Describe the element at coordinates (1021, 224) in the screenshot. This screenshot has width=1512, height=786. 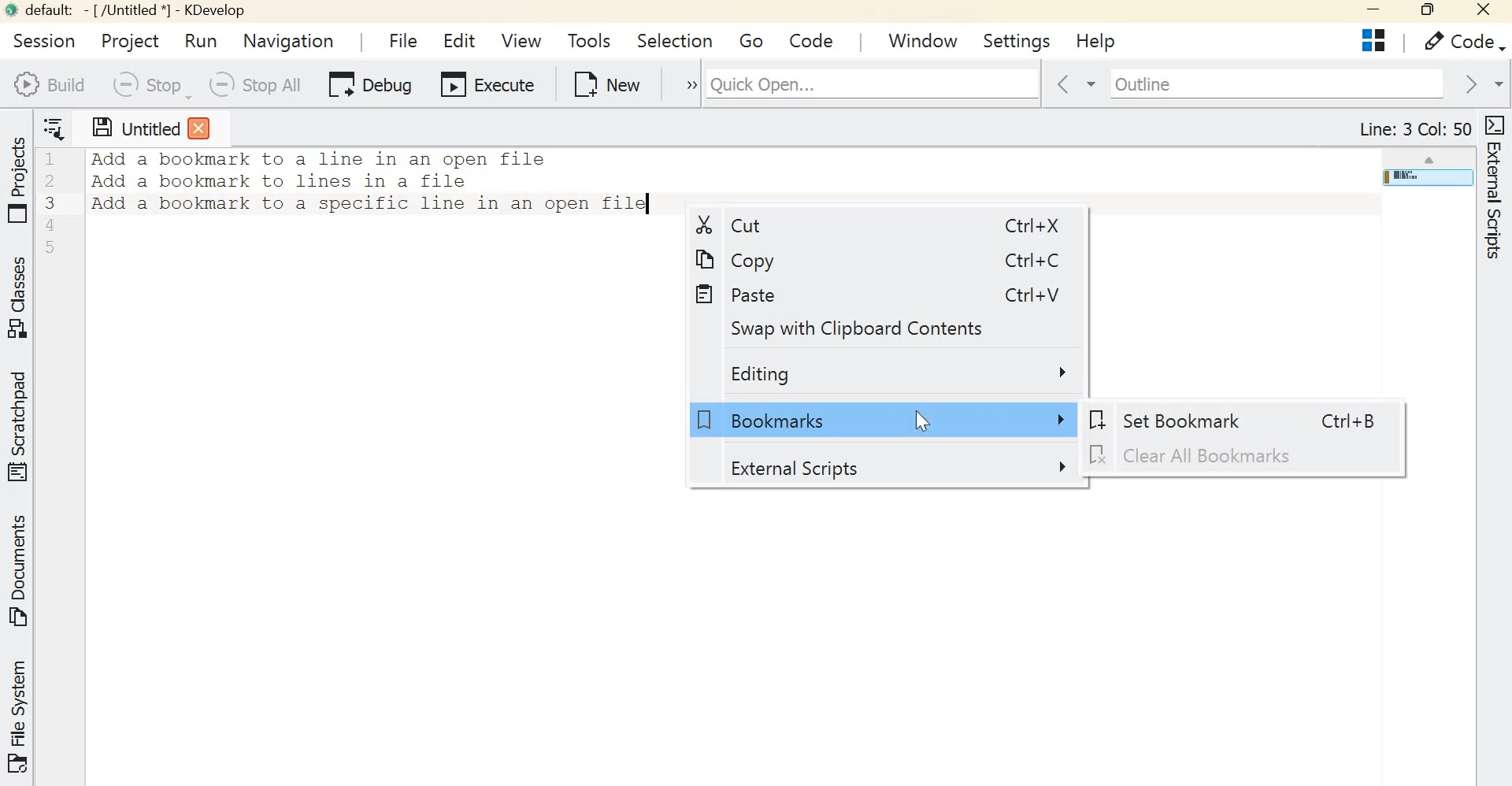
I see `Ctrl+X` at that location.